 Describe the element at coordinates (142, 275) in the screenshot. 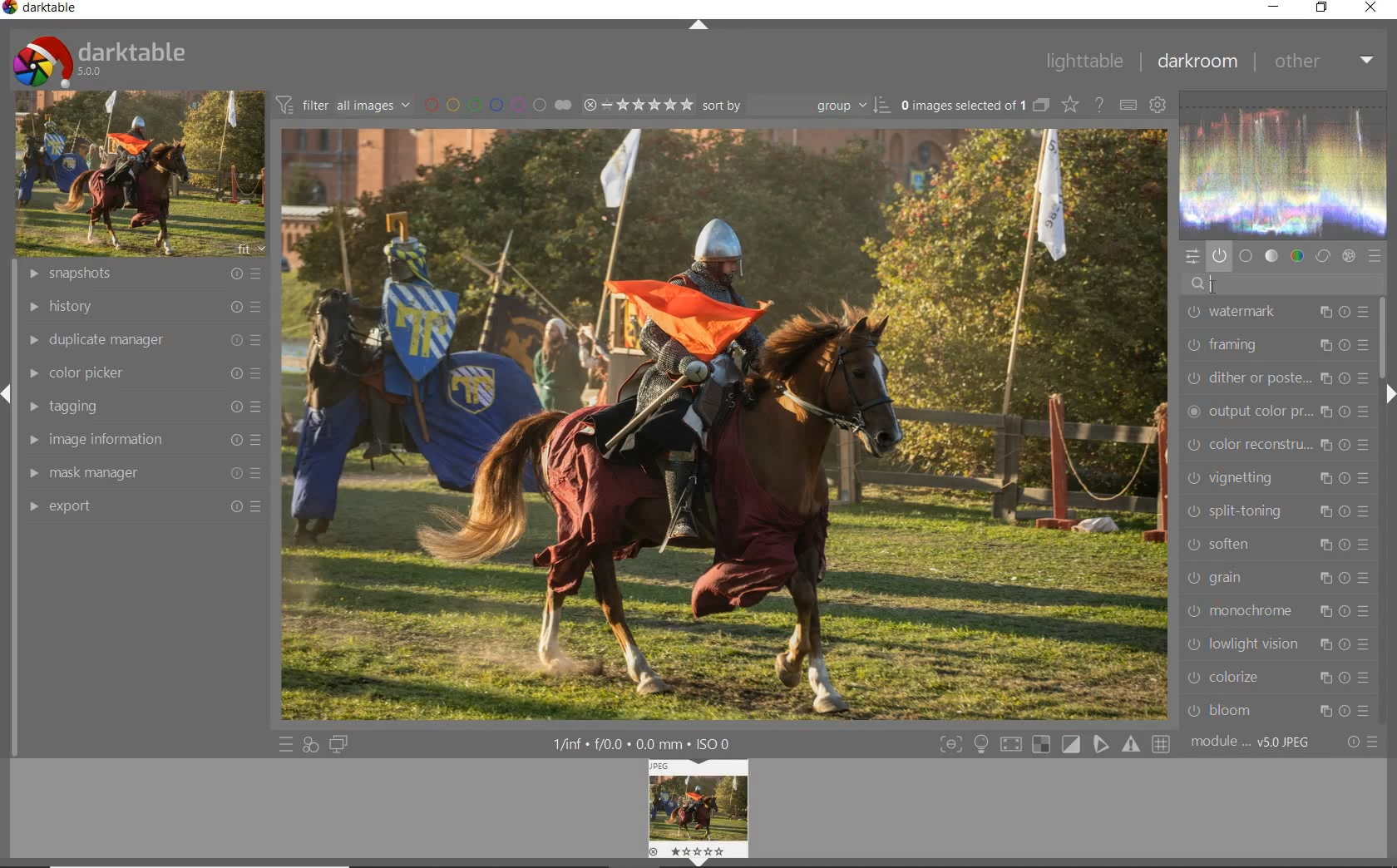

I see `snapshots` at that location.